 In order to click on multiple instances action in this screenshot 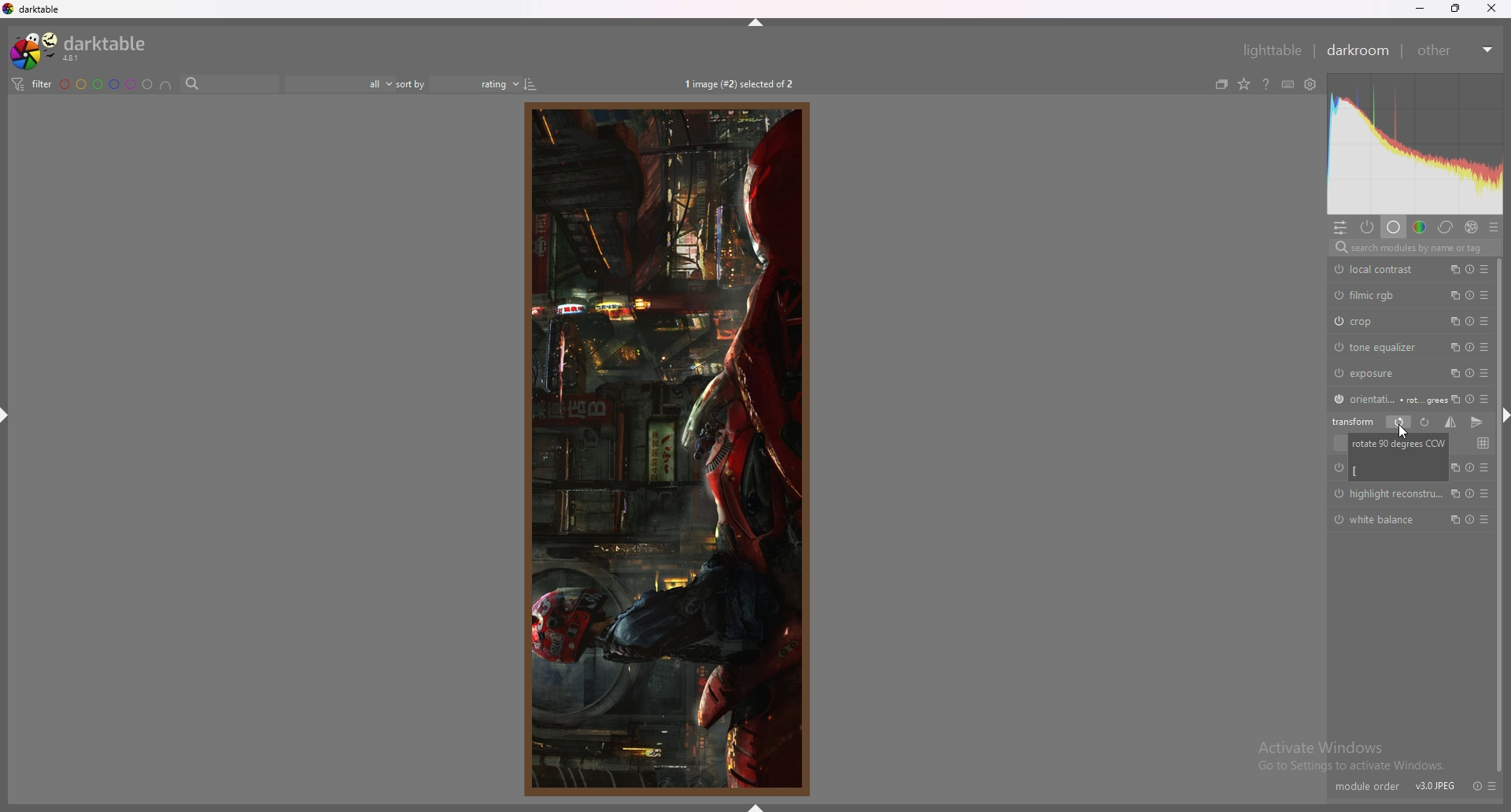, I will do `click(1452, 294)`.